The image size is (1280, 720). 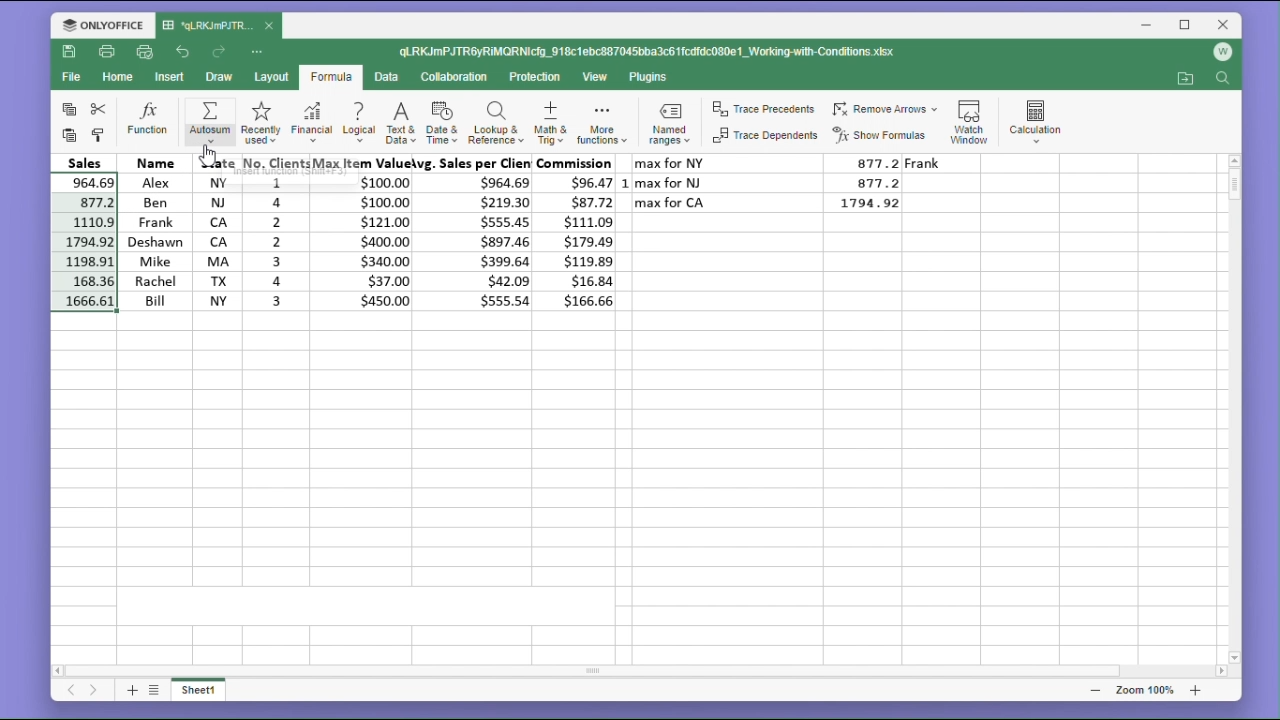 What do you see at coordinates (120, 82) in the screenshot?
I see `home` at bounding box center [120, 82].